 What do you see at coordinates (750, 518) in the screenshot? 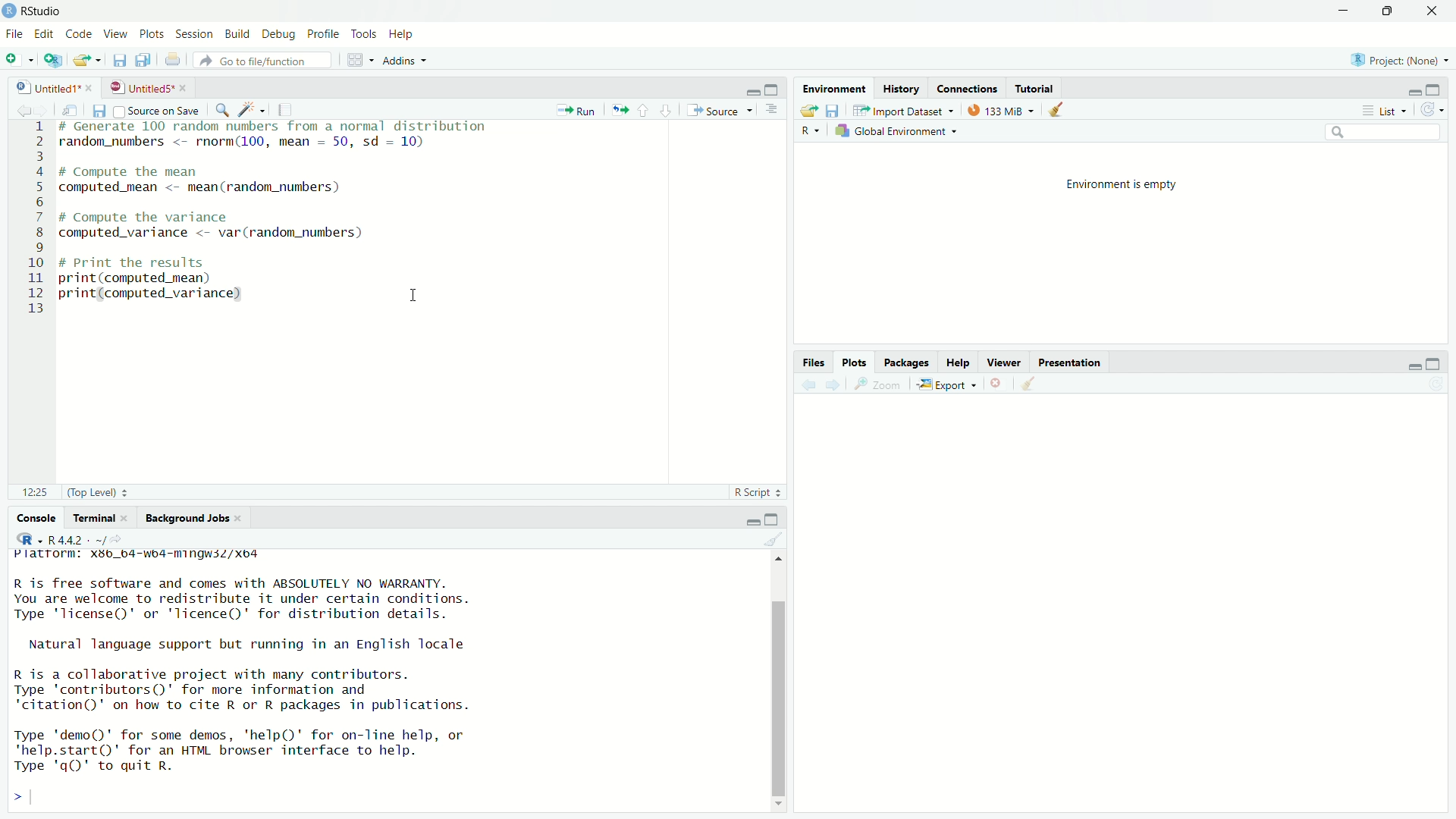
I see `minimize` at bounding box center [750, 518].